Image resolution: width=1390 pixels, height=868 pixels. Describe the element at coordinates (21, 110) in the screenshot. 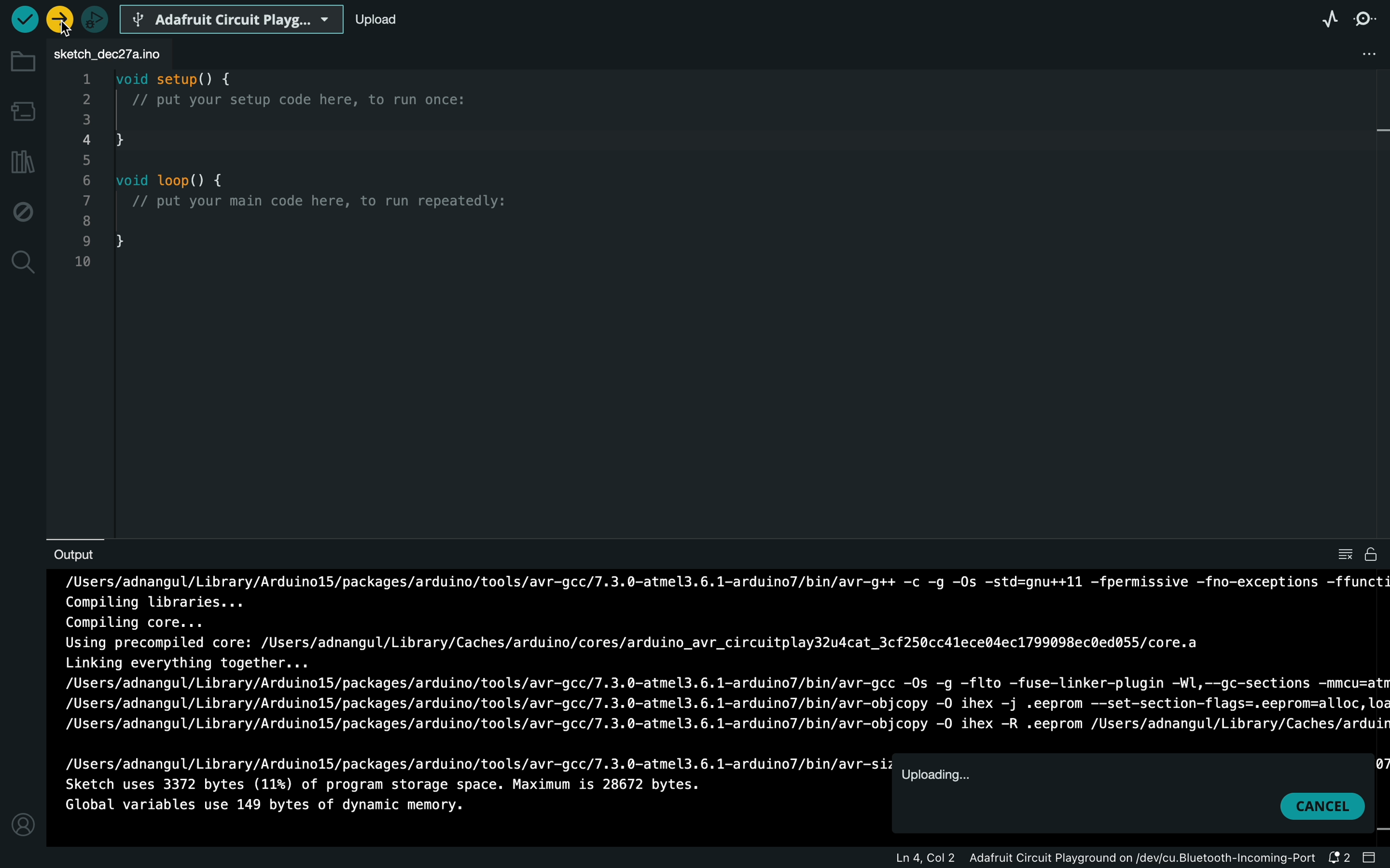

I see `board manager` at that location.